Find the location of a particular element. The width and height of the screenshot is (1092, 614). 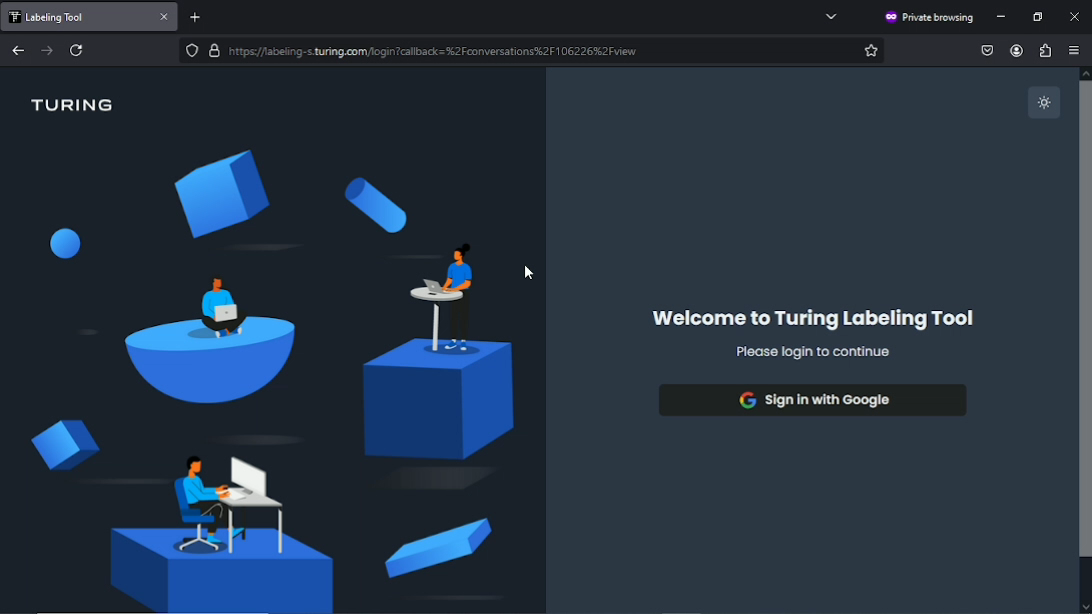

blocking social media trackers is located at coordinates (191, 50).